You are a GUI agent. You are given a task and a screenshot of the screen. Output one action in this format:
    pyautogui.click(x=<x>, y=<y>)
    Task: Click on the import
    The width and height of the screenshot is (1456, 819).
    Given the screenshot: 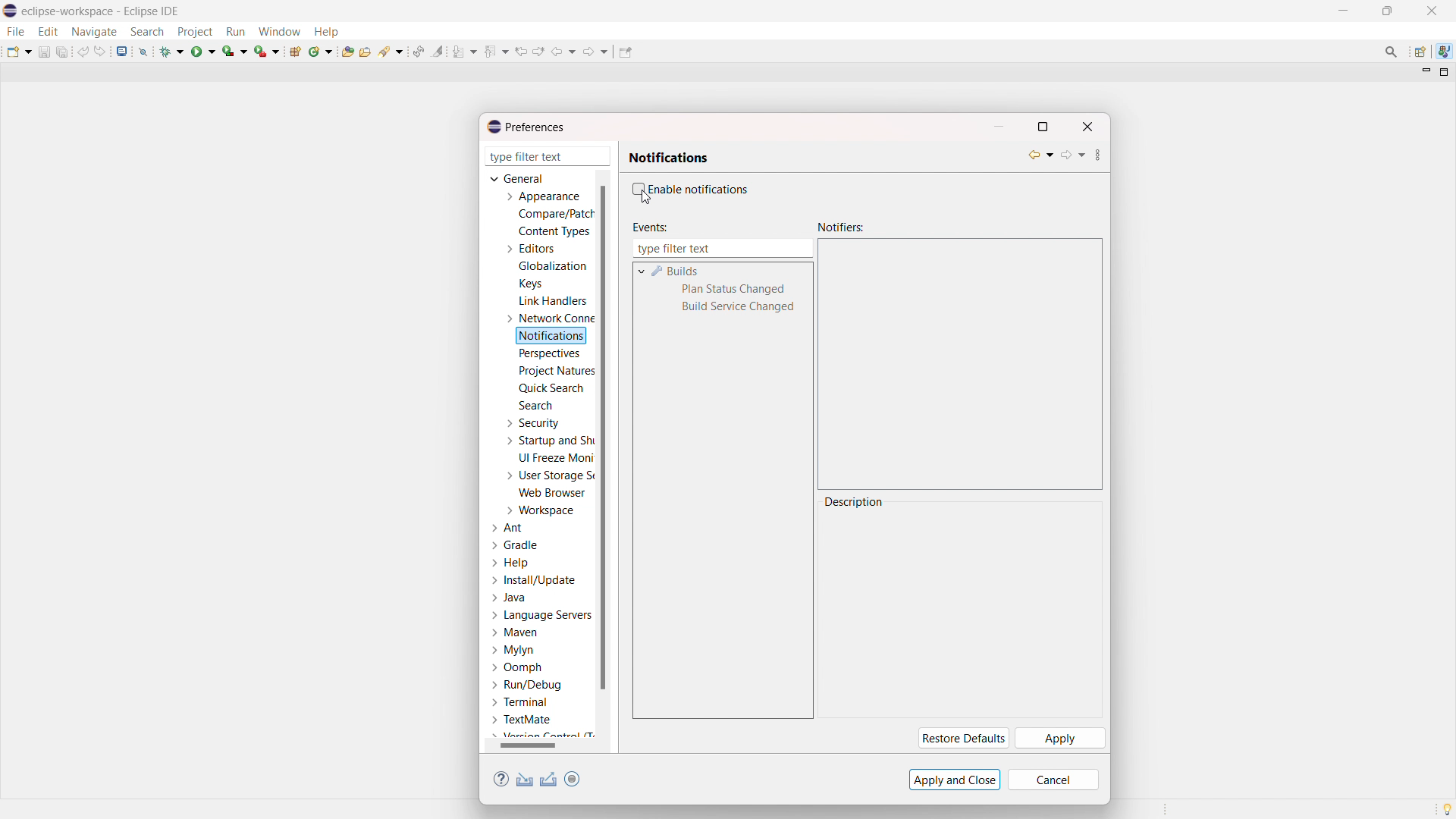 What is the action you would take?
    pyautogui.click(x=525, y=780)
    